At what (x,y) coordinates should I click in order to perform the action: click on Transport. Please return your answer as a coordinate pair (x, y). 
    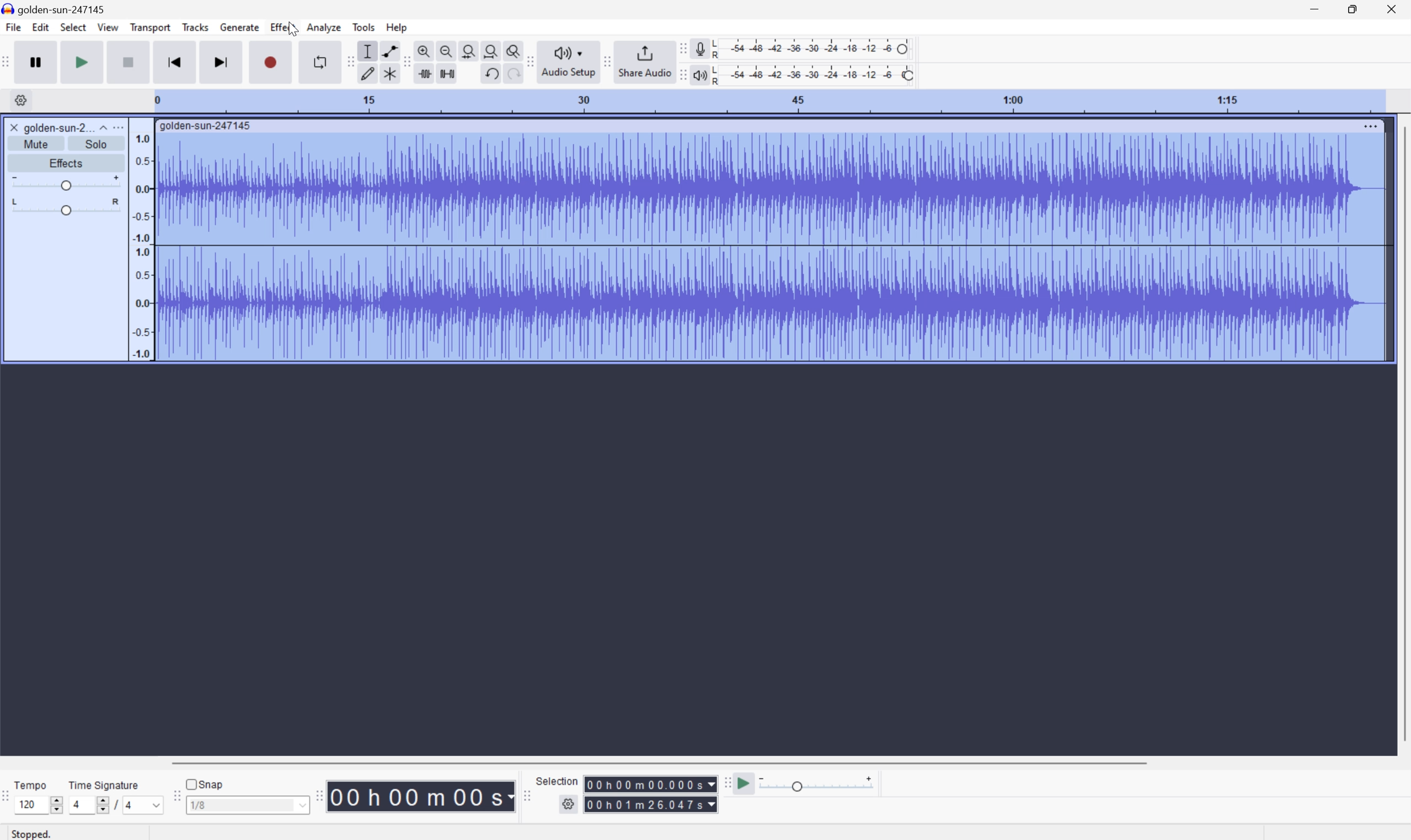
    Looking at the image, I should click on (151, 28).